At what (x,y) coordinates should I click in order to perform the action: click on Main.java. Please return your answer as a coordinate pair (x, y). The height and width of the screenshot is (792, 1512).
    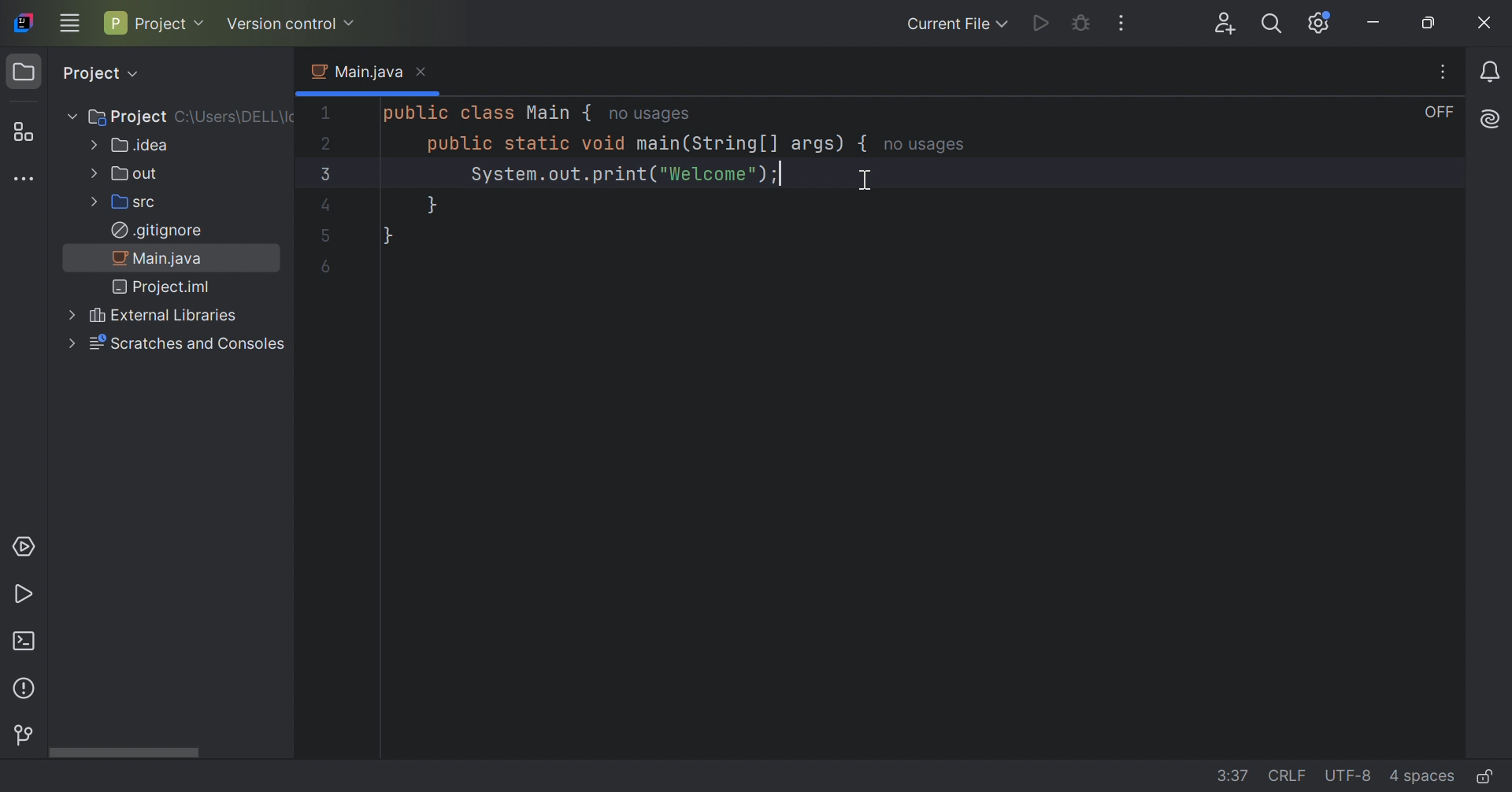
    Looking at the image, I should click on (158, 261).